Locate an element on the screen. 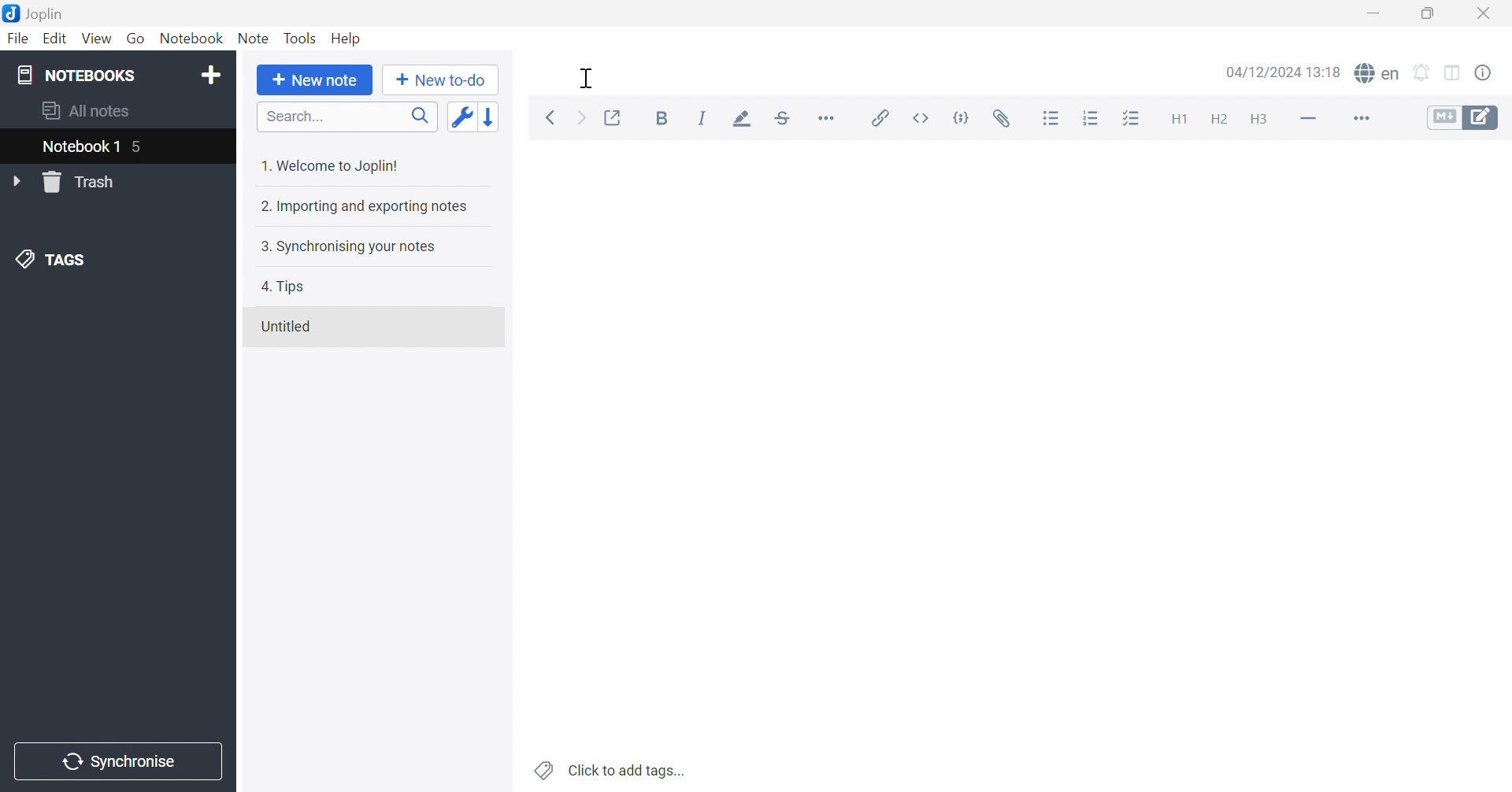  aLL NOTES is located at coordinates (95, 112).